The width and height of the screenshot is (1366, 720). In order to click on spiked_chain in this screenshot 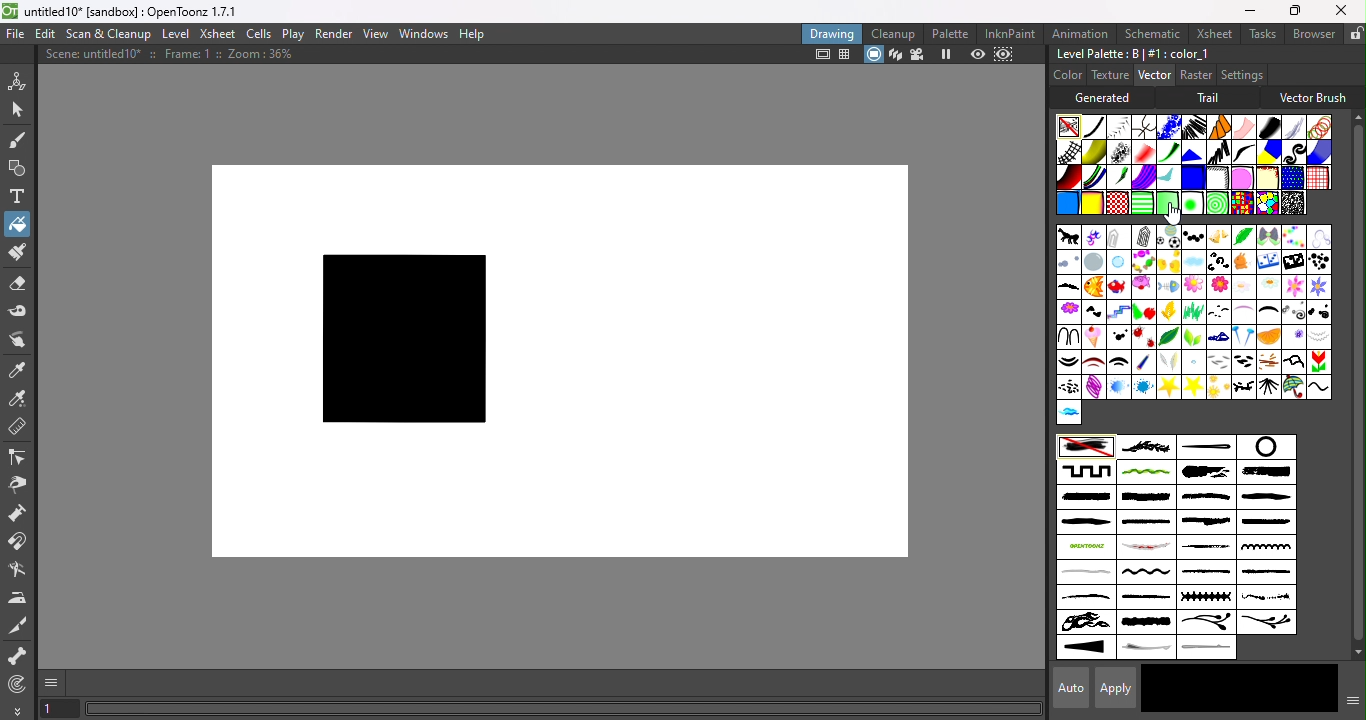, I will do `click(1205, 597)`.